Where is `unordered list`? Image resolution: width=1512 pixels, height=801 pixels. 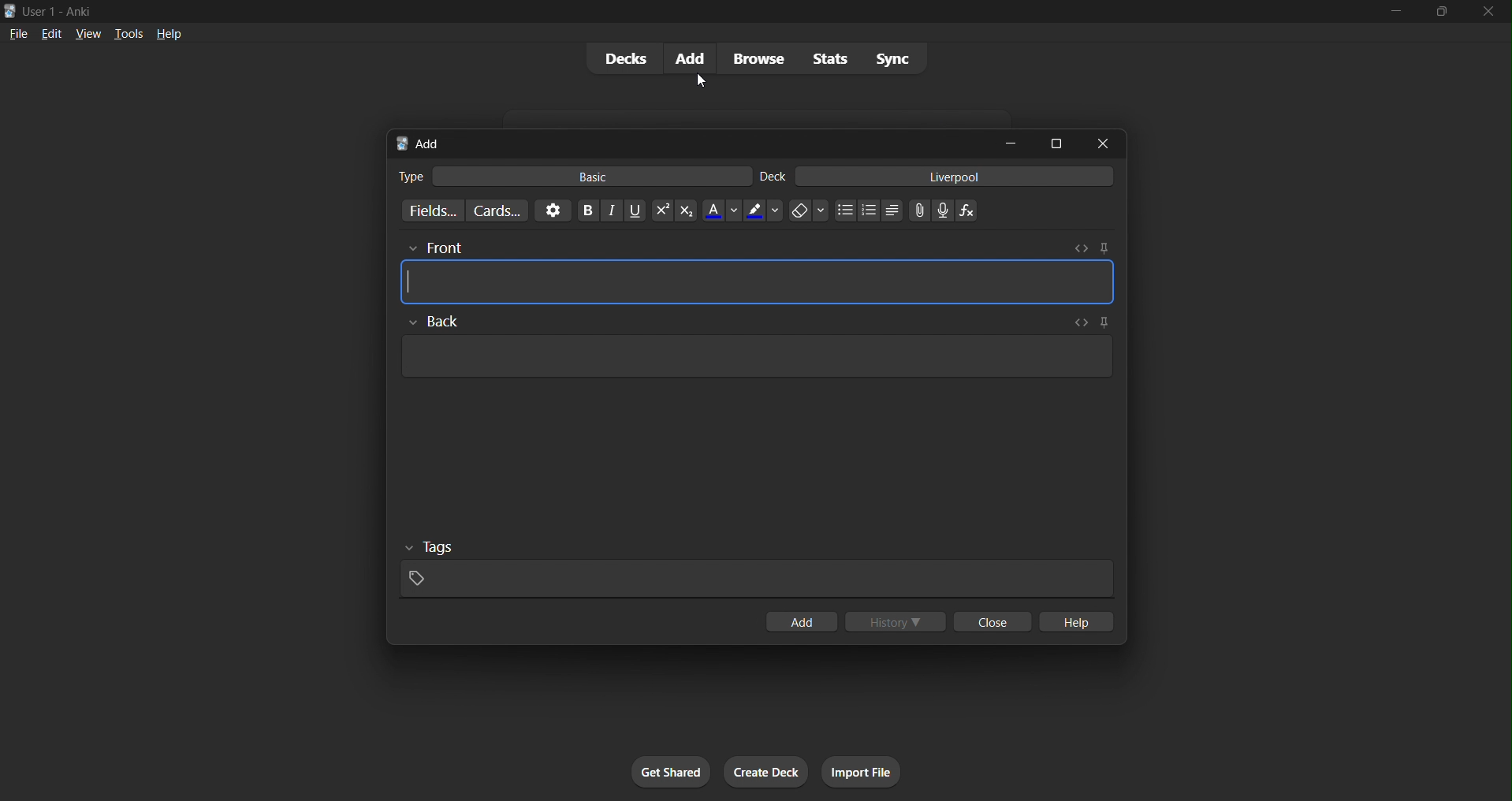 unordered list is located at coordinates (843, 210).